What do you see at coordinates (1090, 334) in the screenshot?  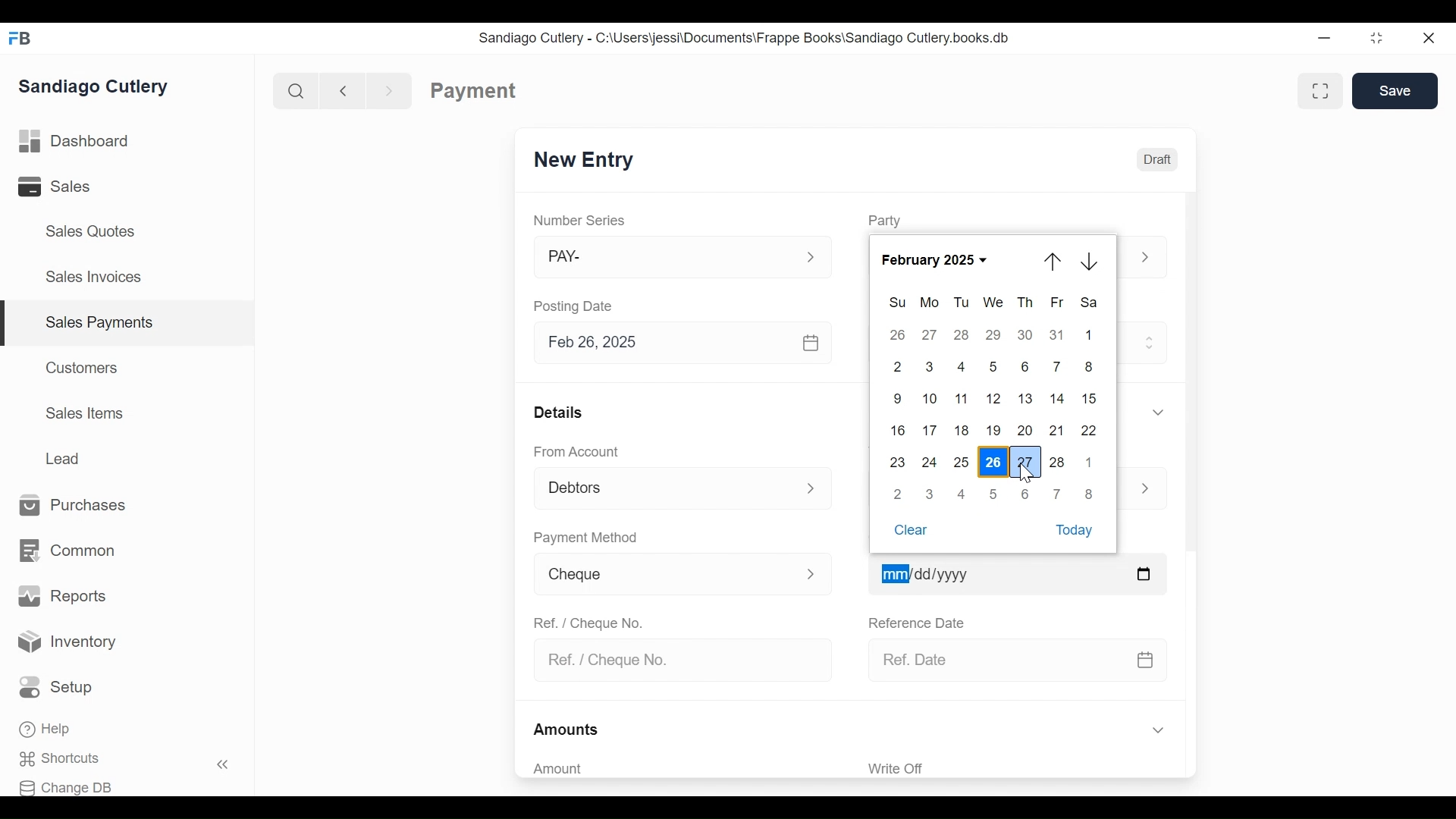 I see `1` at bounding box center [1090, 334].